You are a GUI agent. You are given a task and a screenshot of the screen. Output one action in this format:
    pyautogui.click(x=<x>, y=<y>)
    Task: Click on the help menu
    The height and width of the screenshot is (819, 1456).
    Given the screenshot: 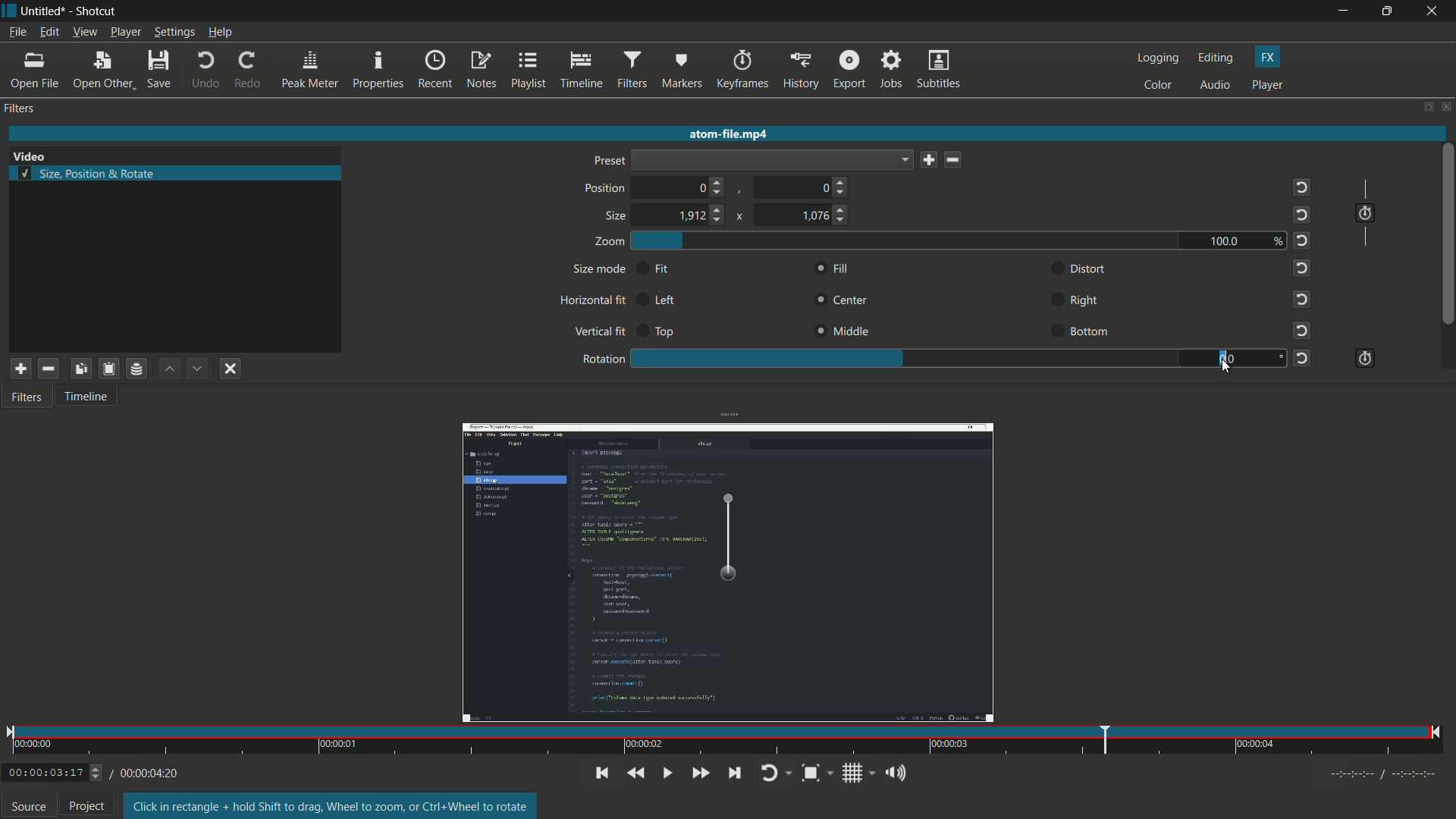 What is the action you would take?
    pyautogui.click(x=221, y=33)
    